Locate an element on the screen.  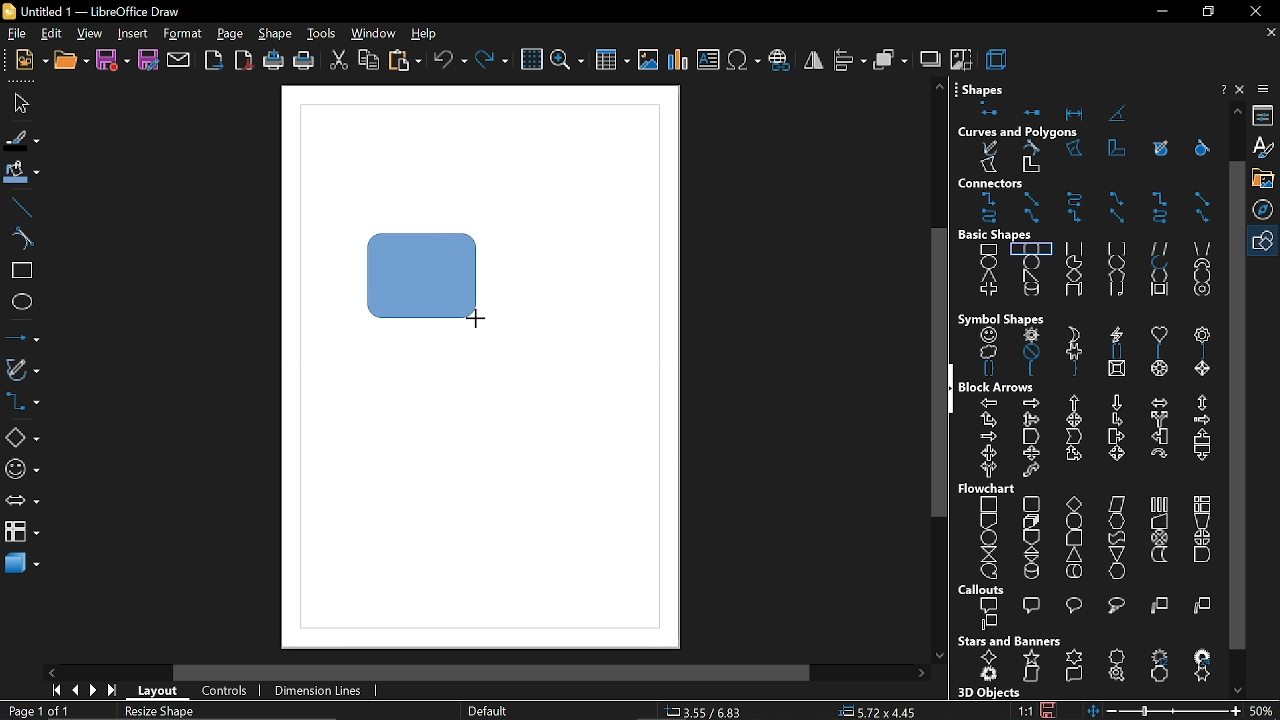
window is located at coordinates (372, 35).